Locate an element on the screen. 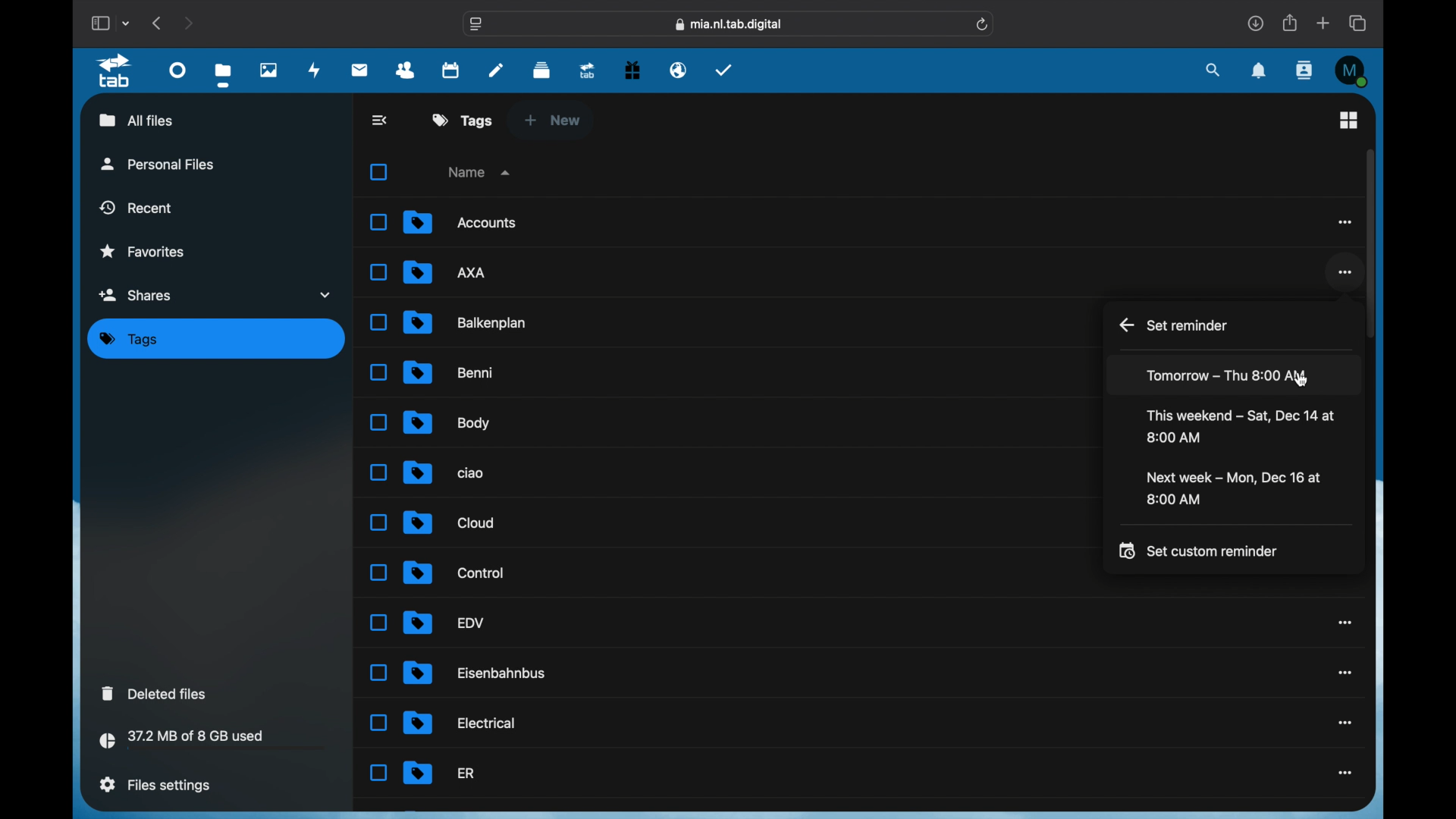 This screenshot has height=819, width=1456. show sidebar is located at coordinates (99, 23).